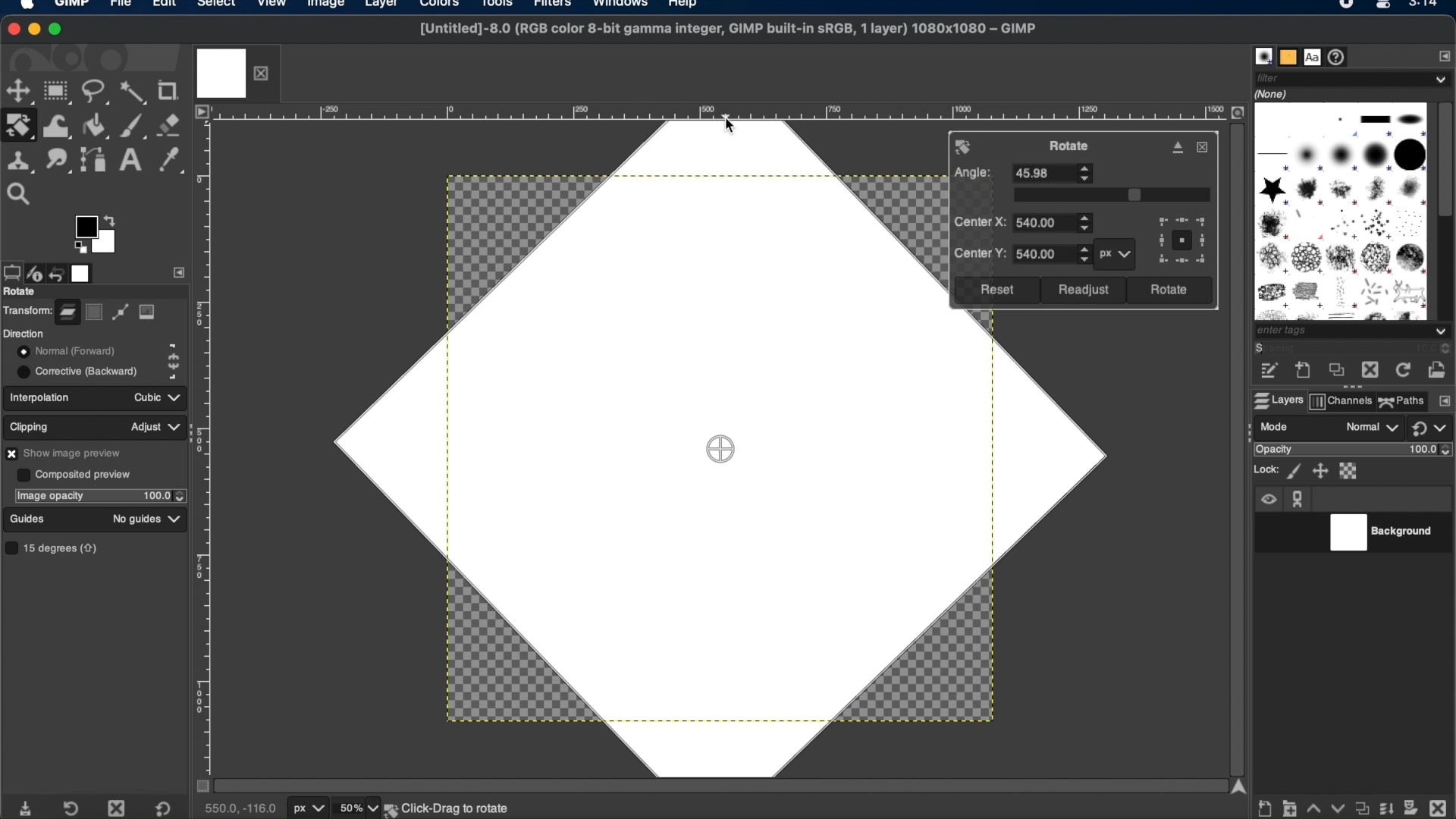 The width and height of the screenshot is (1456, 819). What do you see at coordinates (1292, 350) in the screenshot?
I see `spacing` at bounding box center [1292, 350].